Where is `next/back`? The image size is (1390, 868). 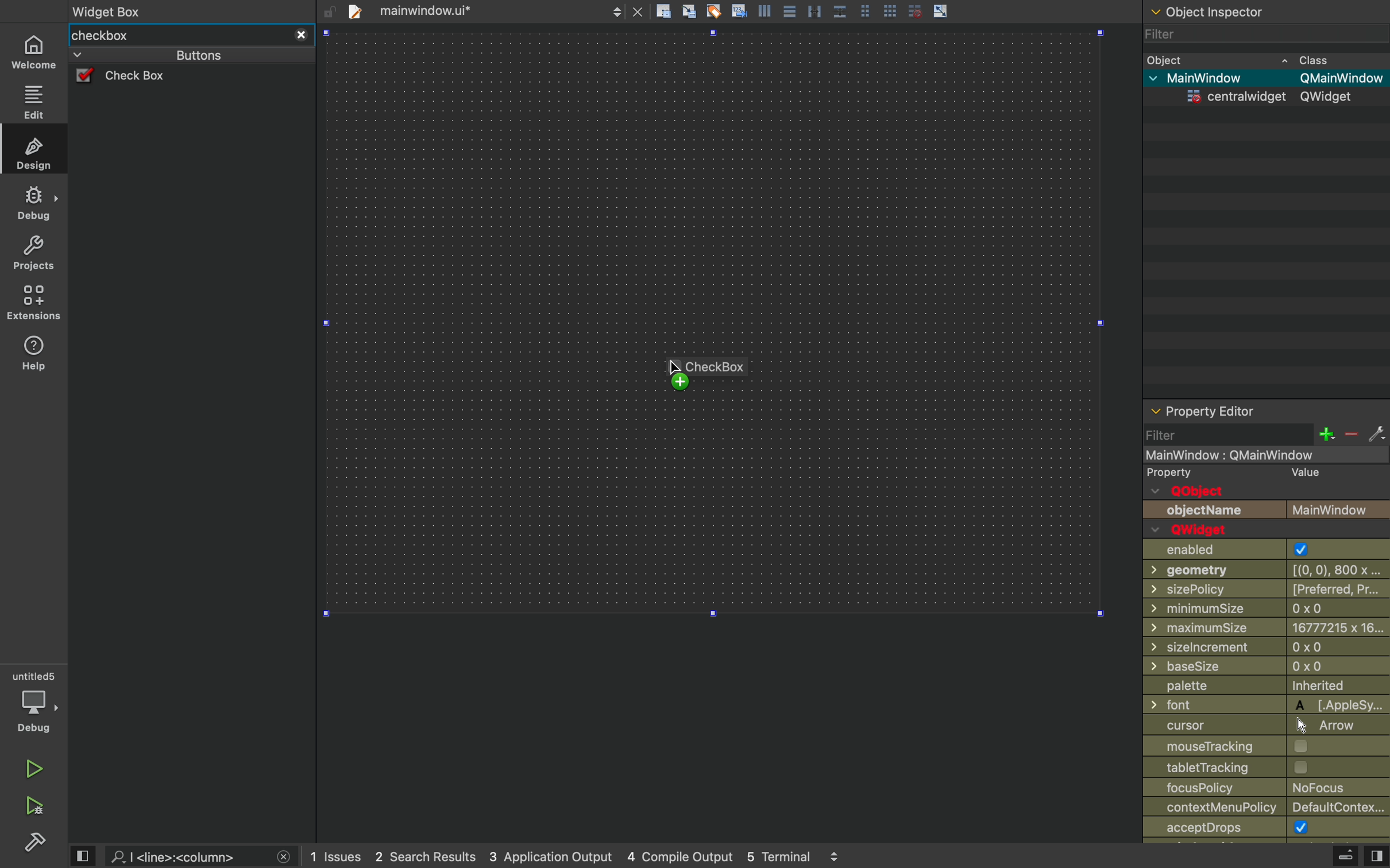
next/back is located at coordinates (617, 10).